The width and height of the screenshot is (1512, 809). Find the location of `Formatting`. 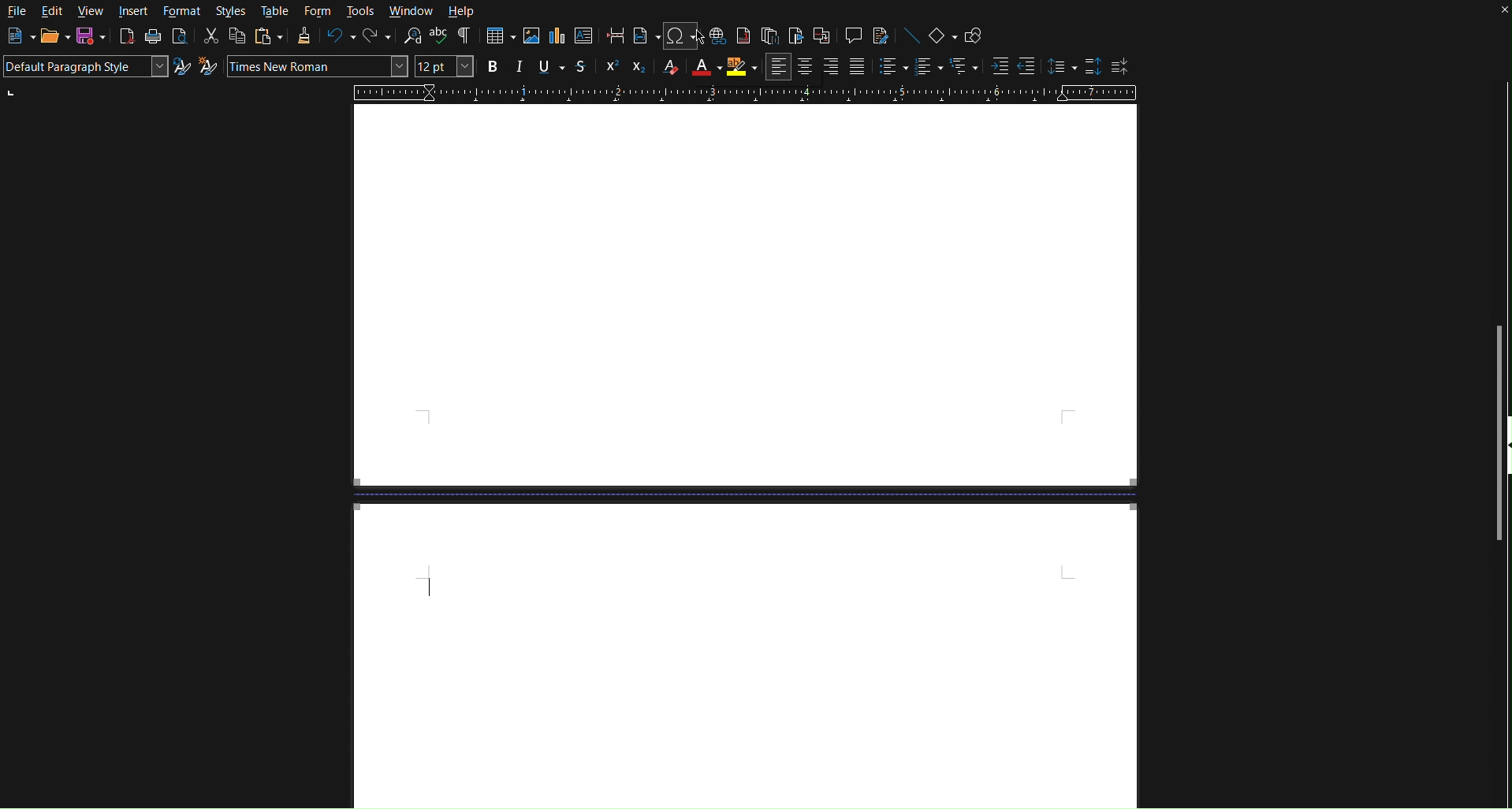

Formatting is located at coordinates (304, 37).